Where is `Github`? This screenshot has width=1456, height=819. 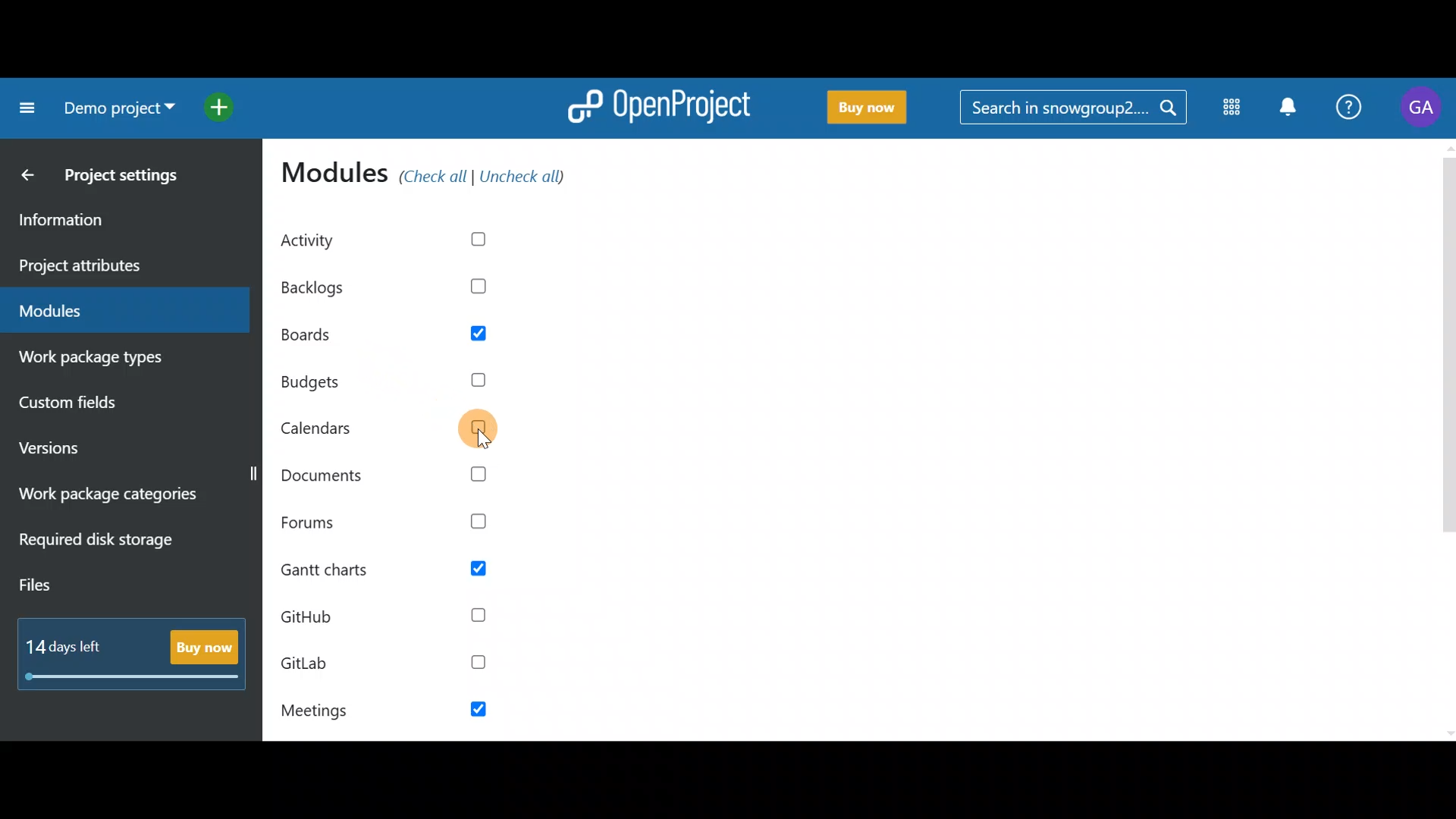
Github is located at coordinates (382, 623).